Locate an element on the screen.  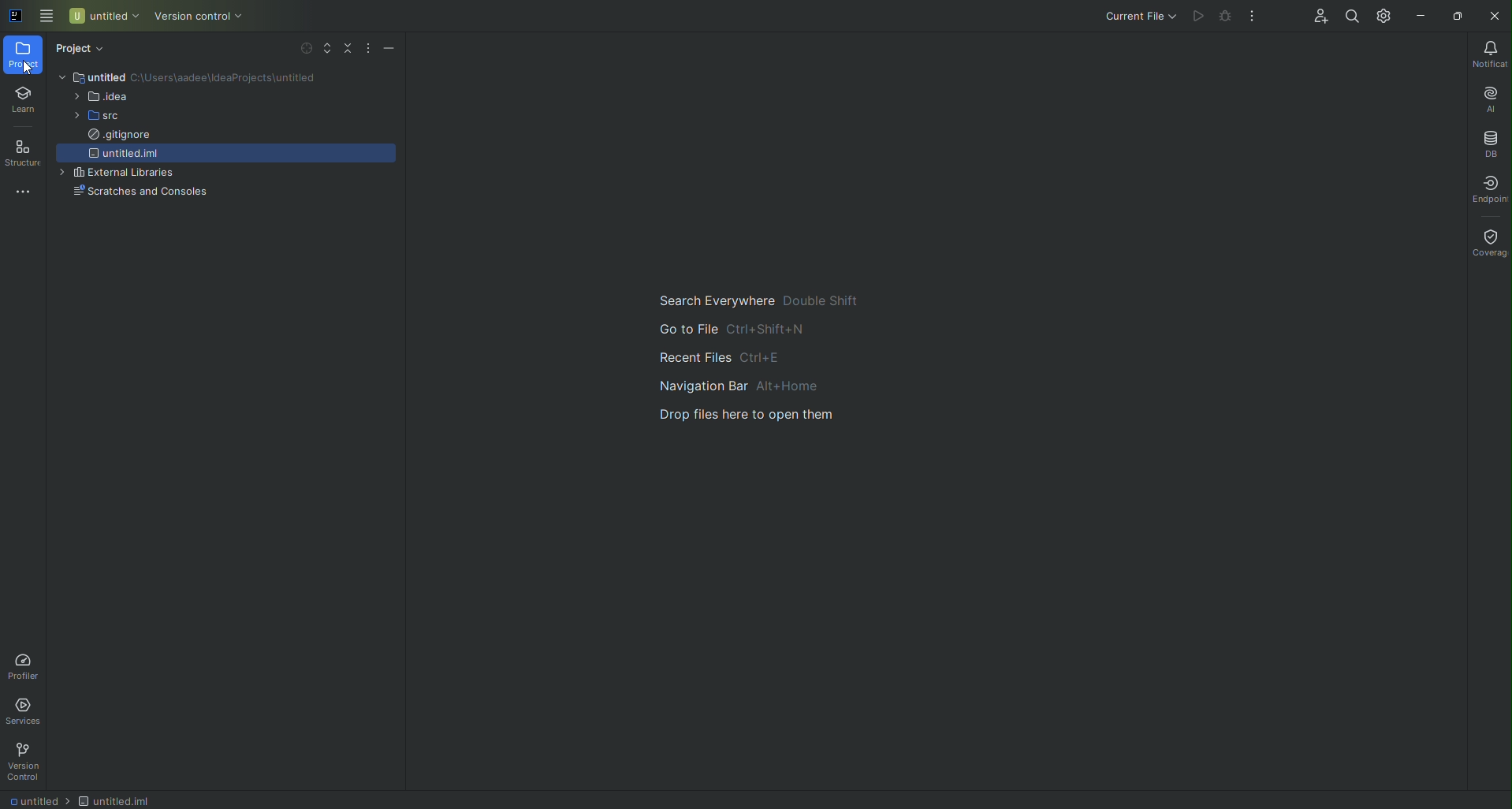
Project is located at coordinates (89, 50).